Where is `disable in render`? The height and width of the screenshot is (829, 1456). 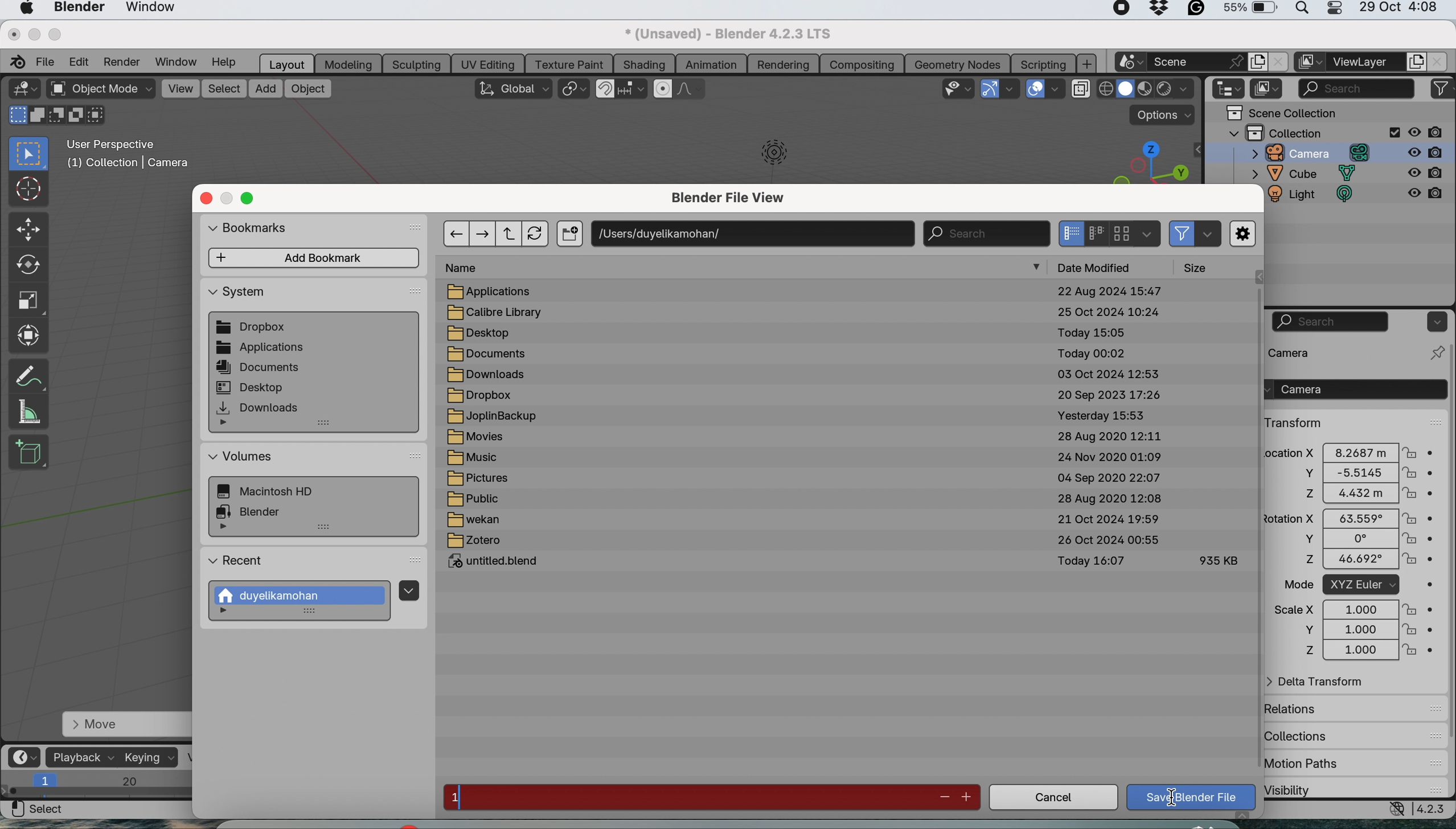 disable in render is located at coordinates (1426, 174).